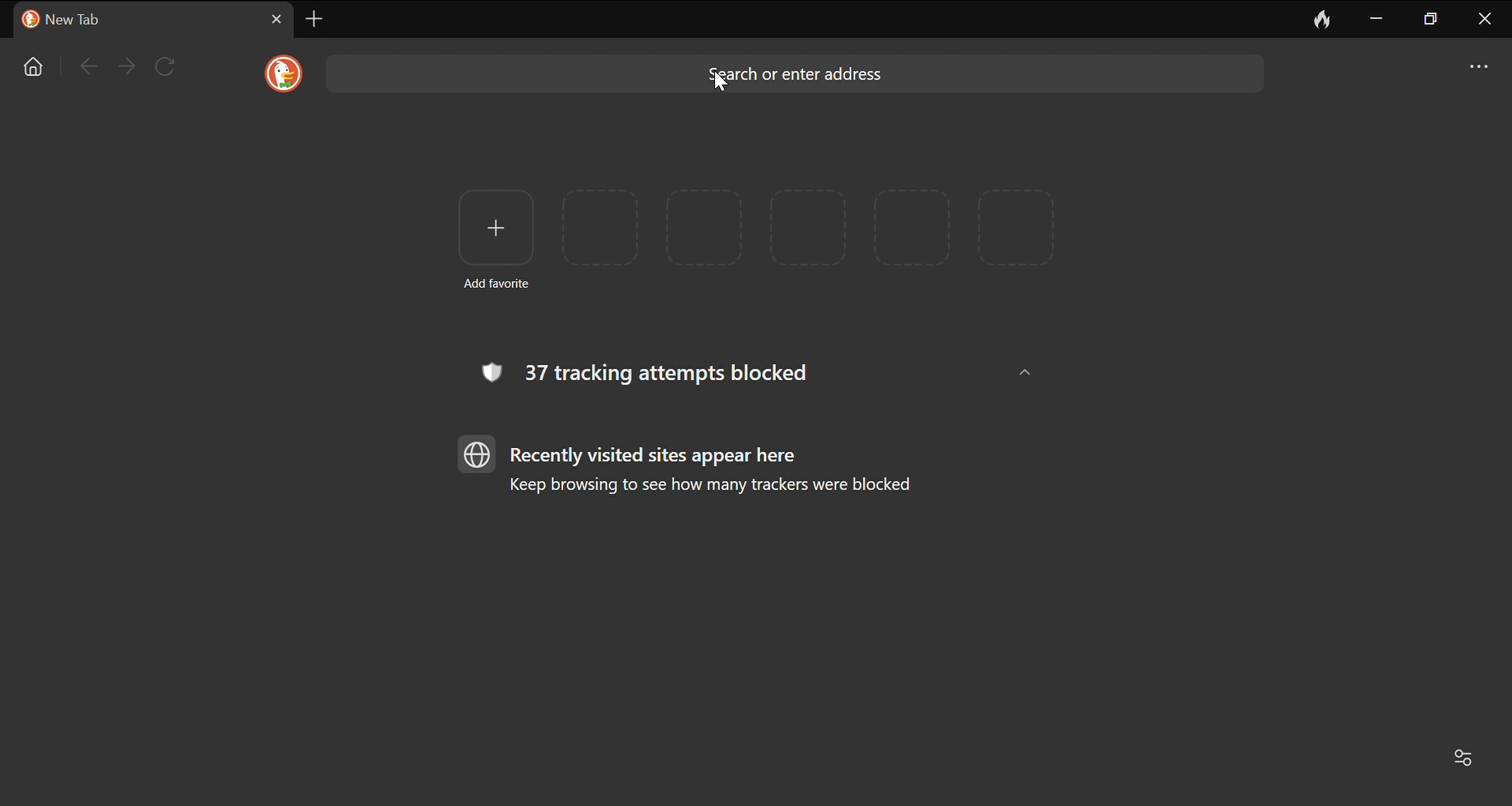  What do you see at coordinates (1432, 20) in the screenshot?
I see `maximize` at bounding box center [1432, 20].